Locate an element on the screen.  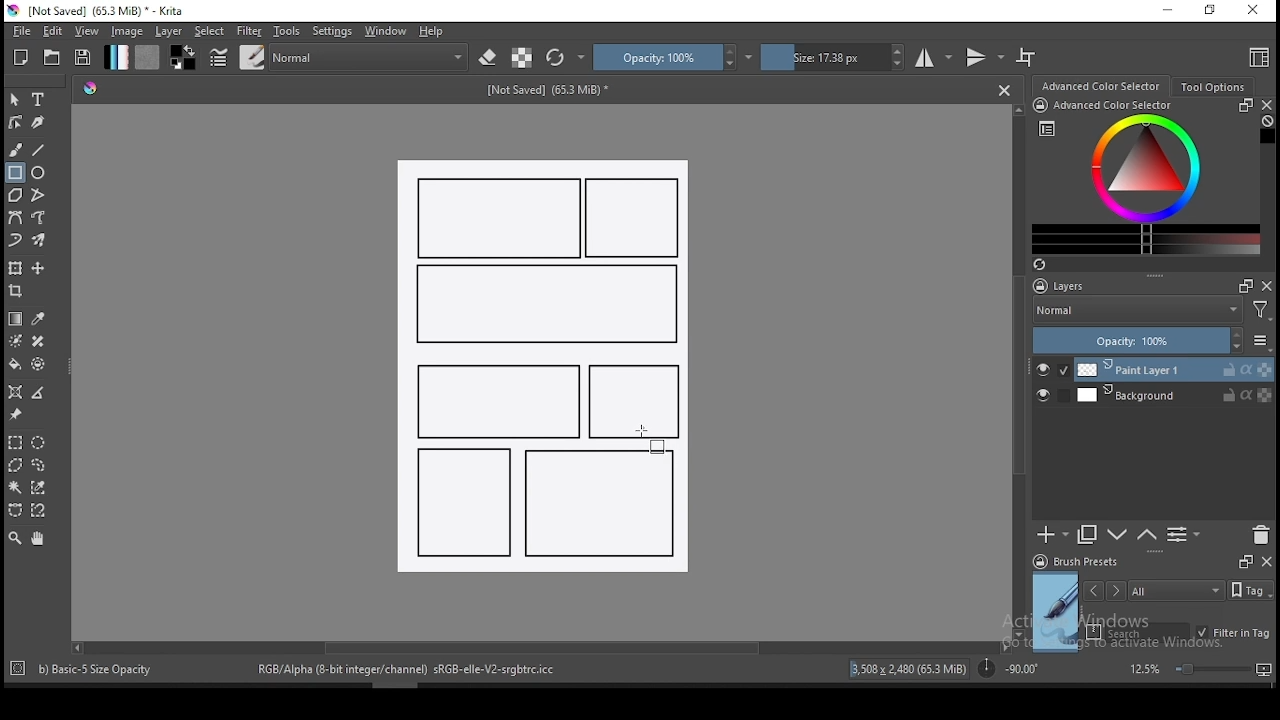
transform a layer or a selection is located at coordinates (15, 267).